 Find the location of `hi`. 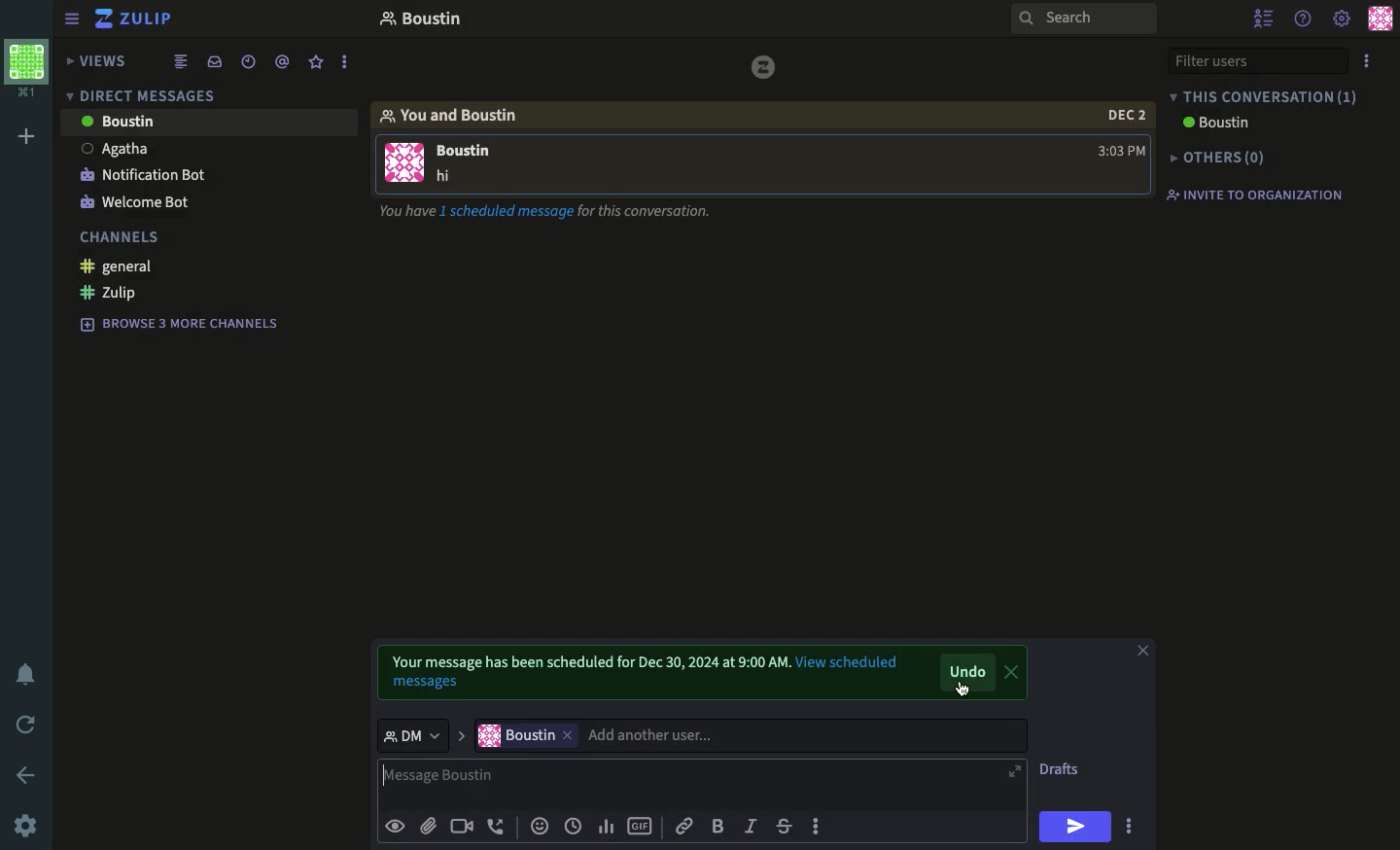

hi is located at coordinates (1077, 828).